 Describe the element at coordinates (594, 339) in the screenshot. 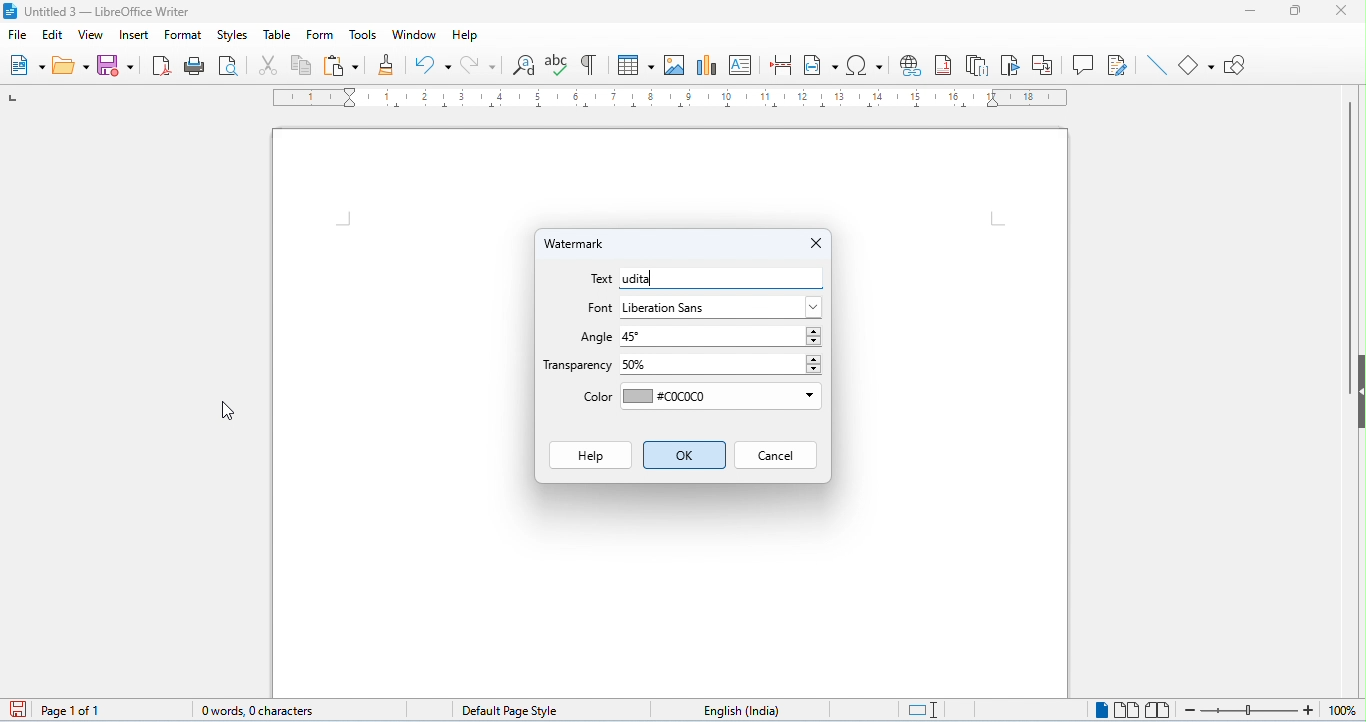

I see `angle` at that location.